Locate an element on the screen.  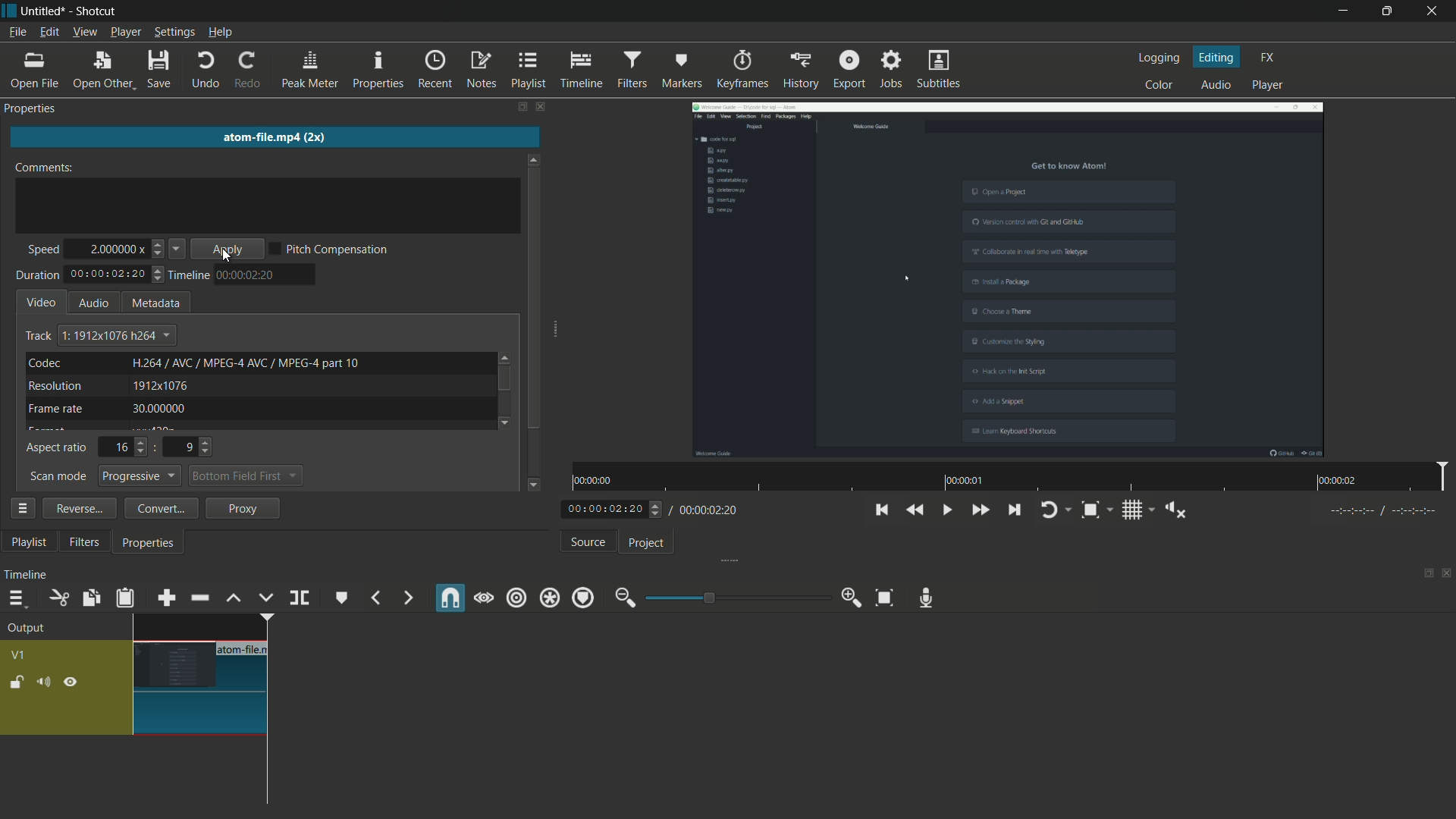
total time is located at coordinates (108, 275).